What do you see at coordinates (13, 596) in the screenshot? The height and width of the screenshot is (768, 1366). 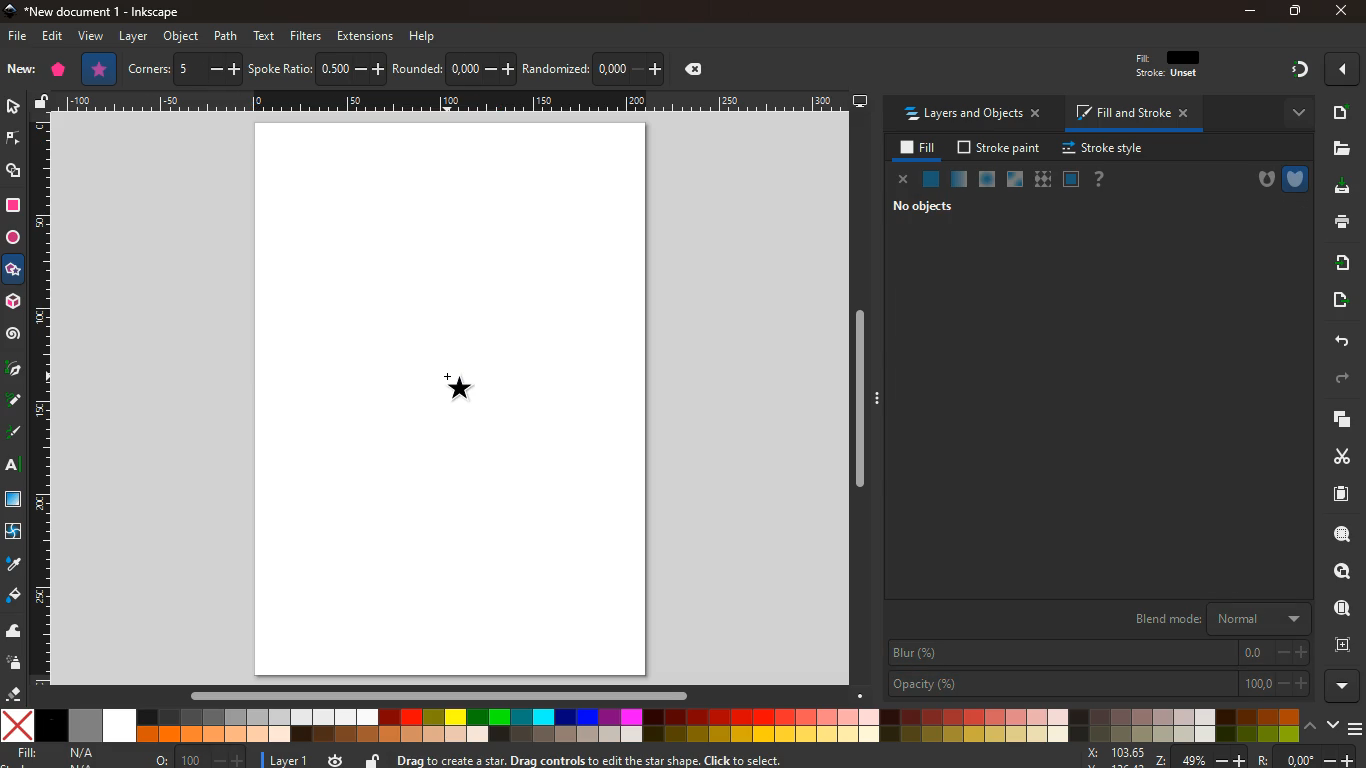 I see `bucket` at bounding box center [13, 596].